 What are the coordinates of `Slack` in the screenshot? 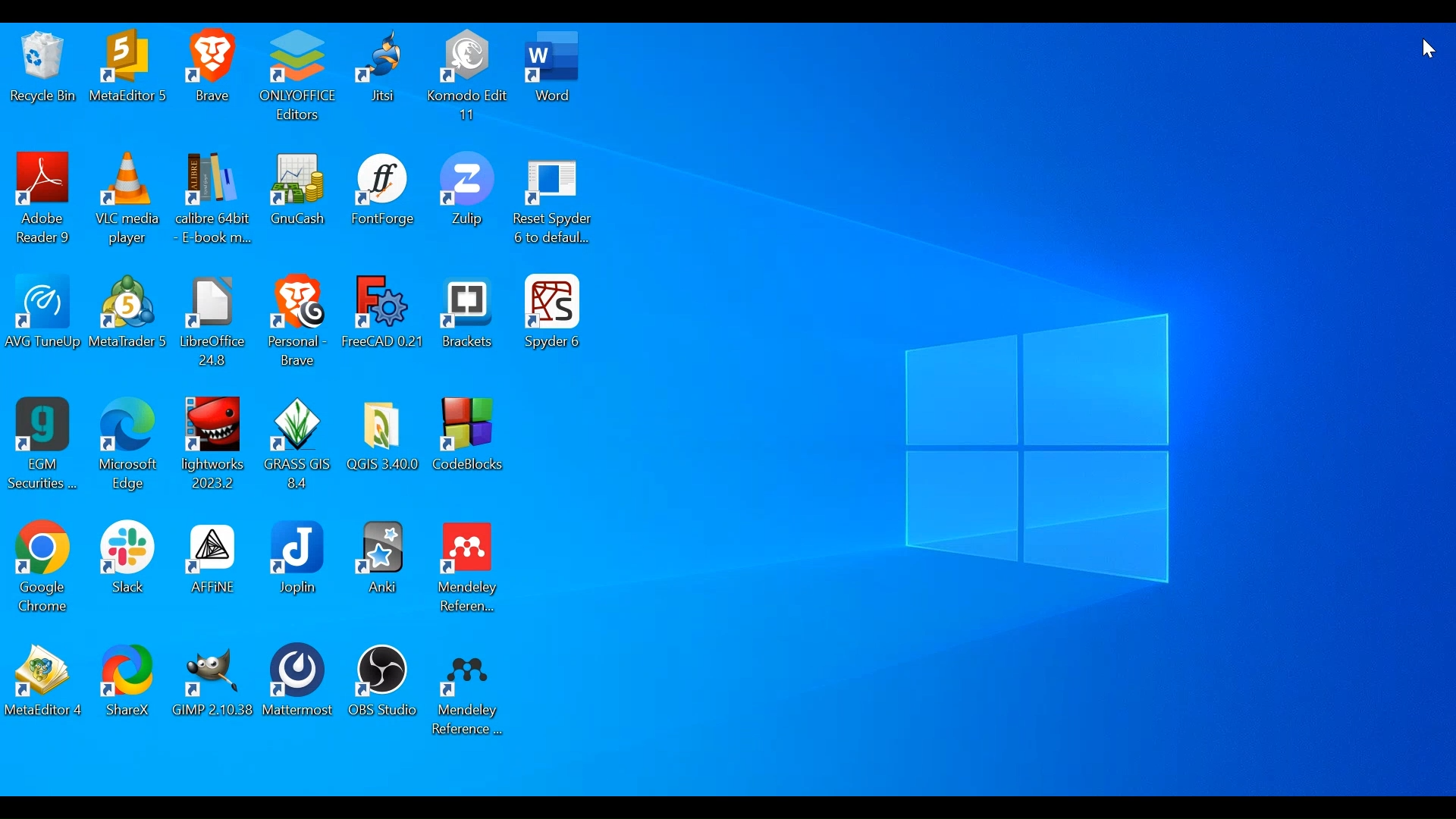 It's located at (127, 569).